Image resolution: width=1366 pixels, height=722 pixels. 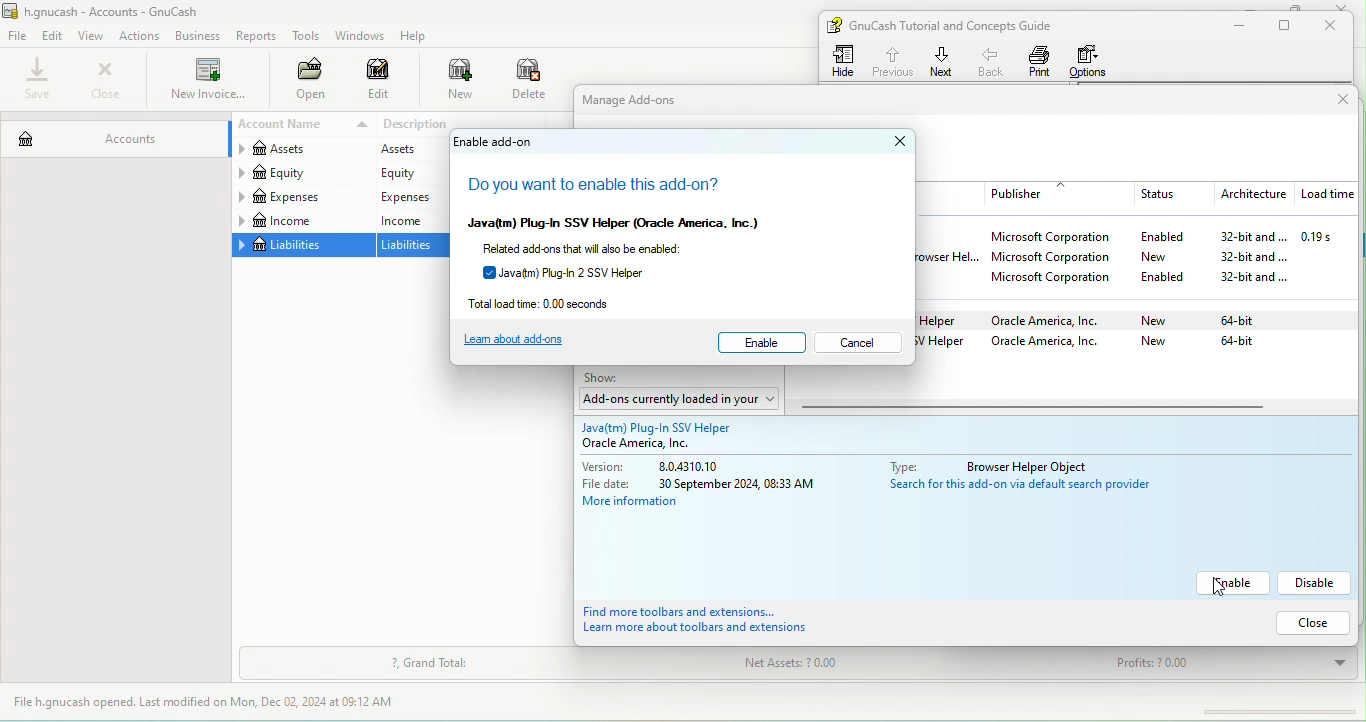 I want to click on java (tm) plug in ssv helper, so click(x=675, y=424).